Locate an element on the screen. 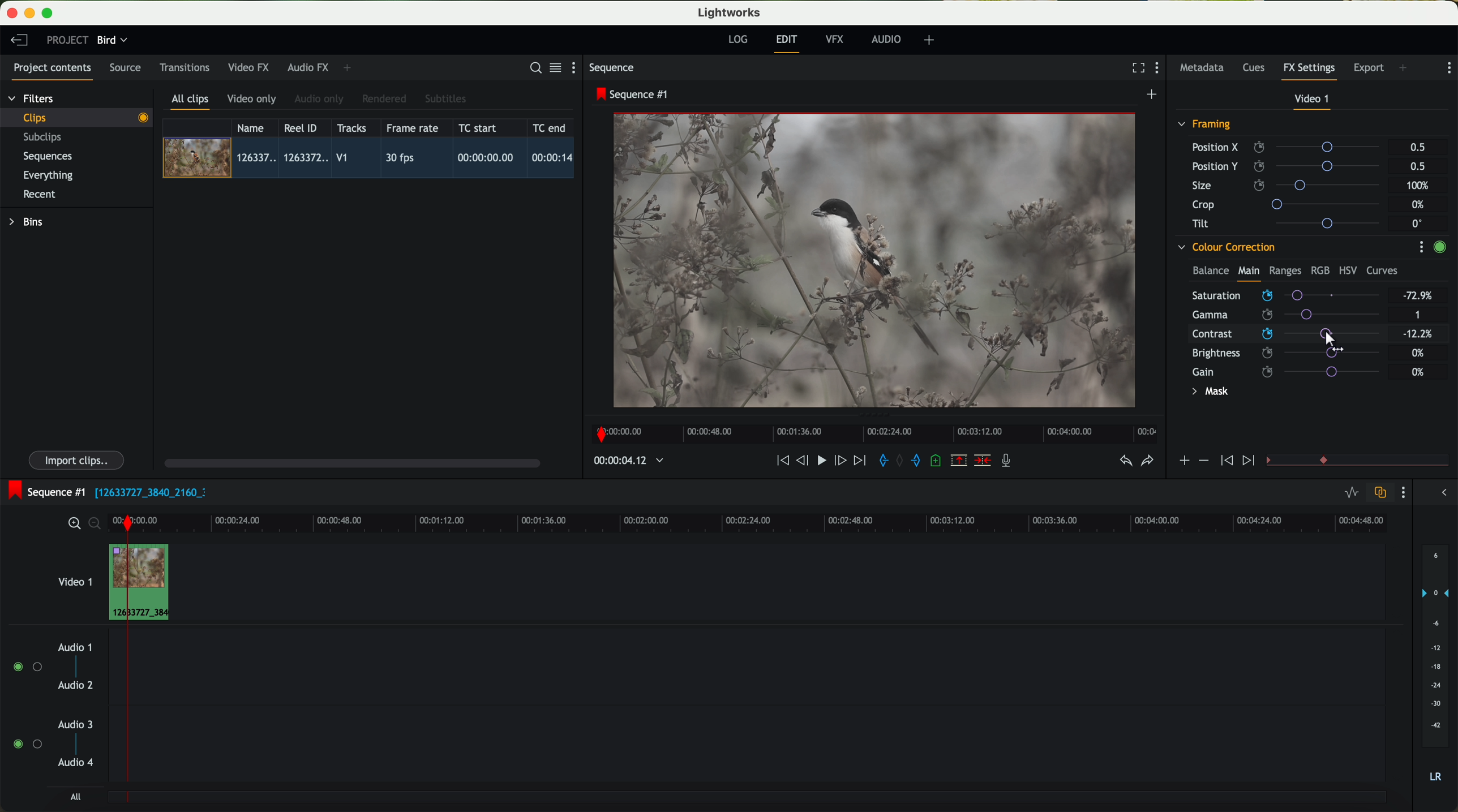  1 is located at coordinates (1418, 316).